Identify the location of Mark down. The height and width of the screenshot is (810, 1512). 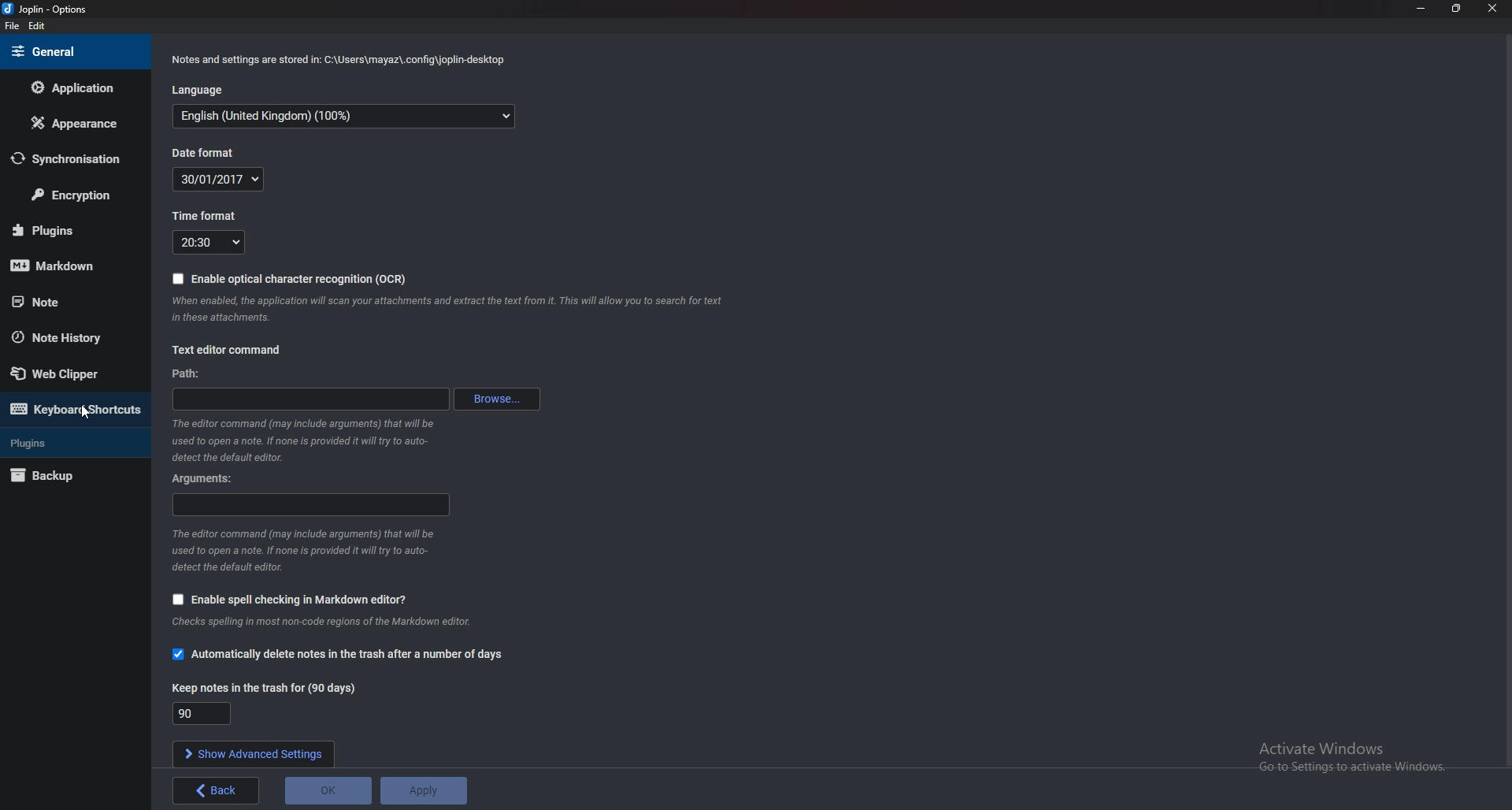
(68, 265).